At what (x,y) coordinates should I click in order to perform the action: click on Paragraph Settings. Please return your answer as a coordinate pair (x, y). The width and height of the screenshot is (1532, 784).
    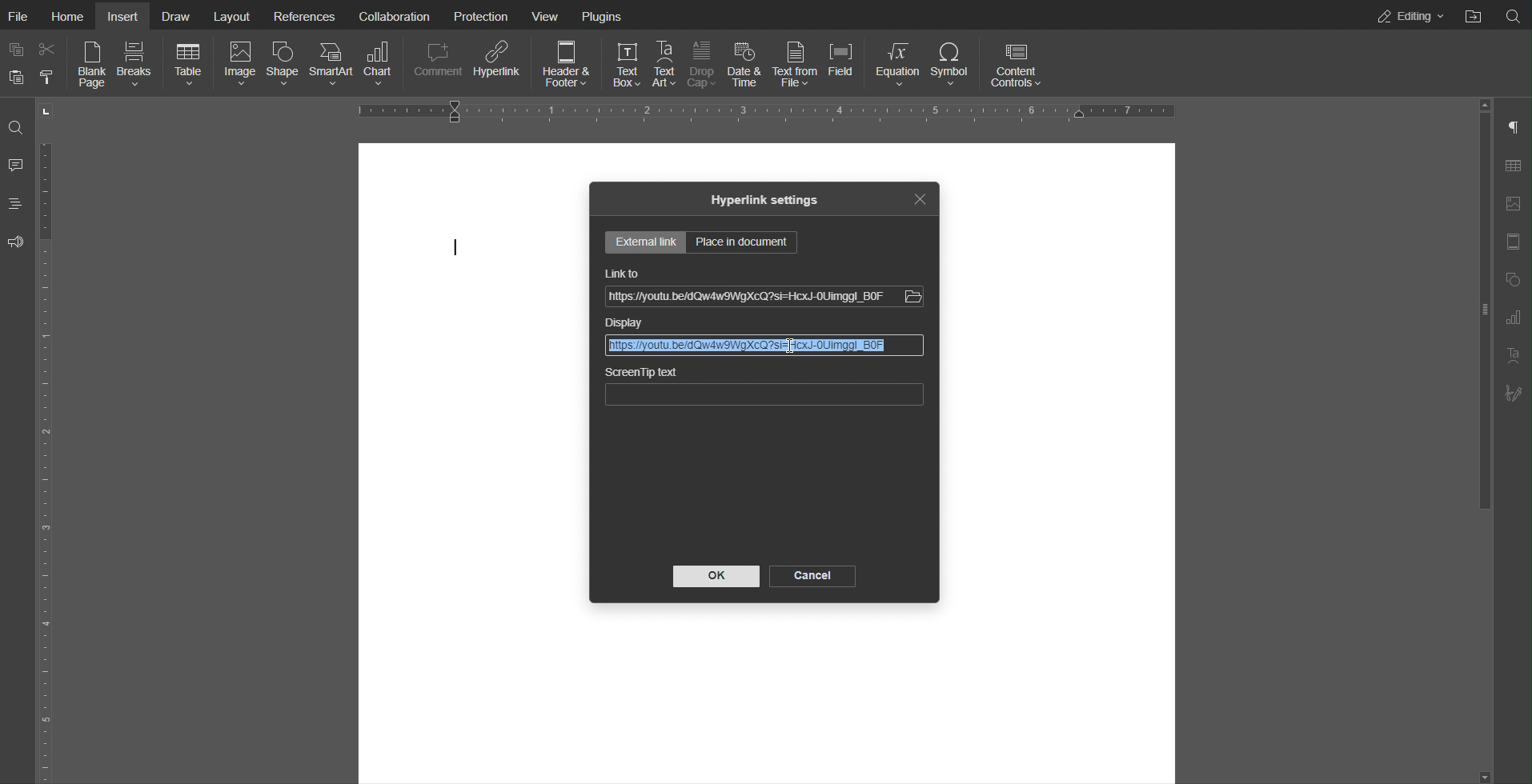
    Looking at the image, I should click on (1513, 124).